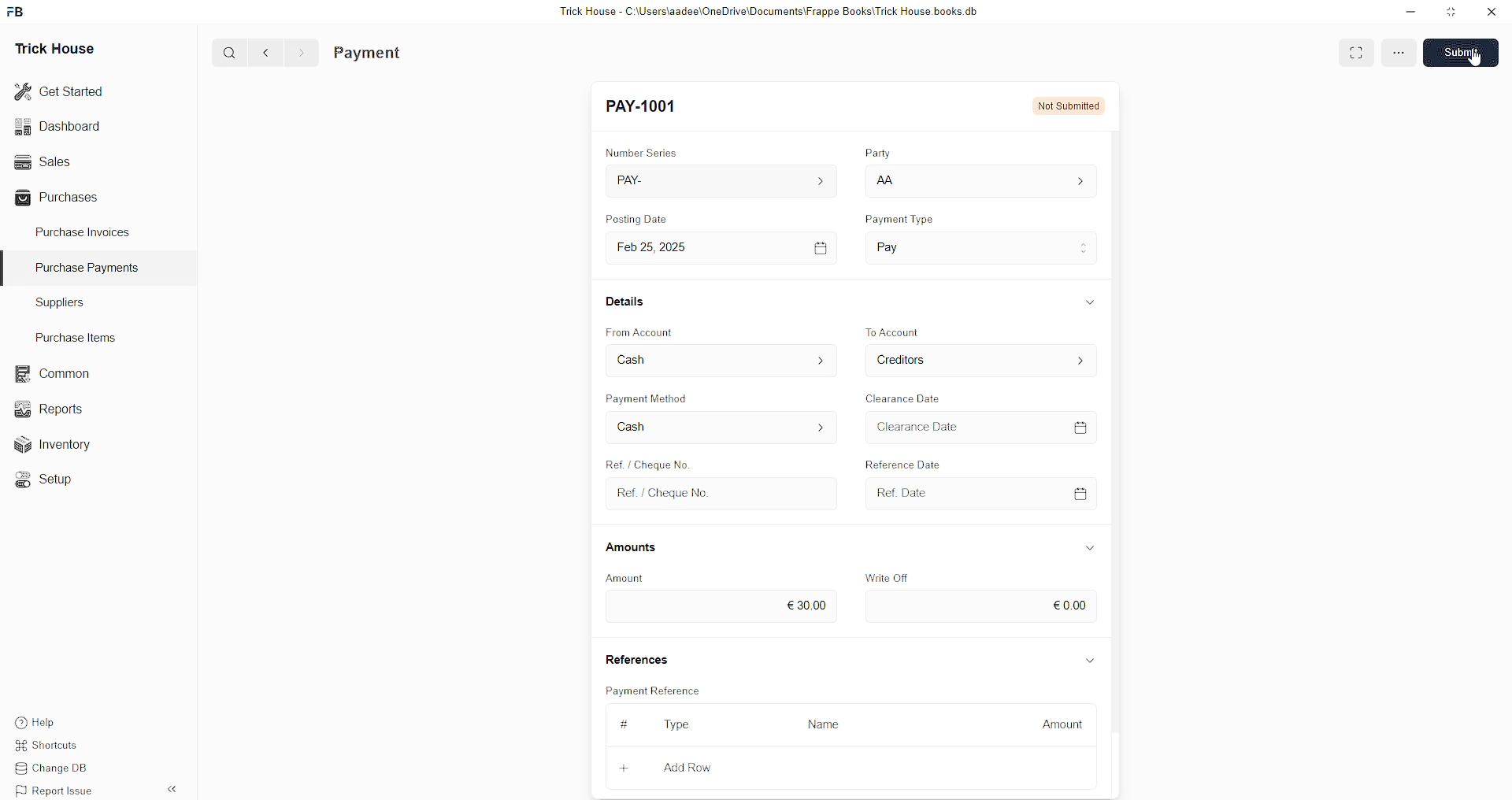  I want to click on PAY-, so click(643, 183).